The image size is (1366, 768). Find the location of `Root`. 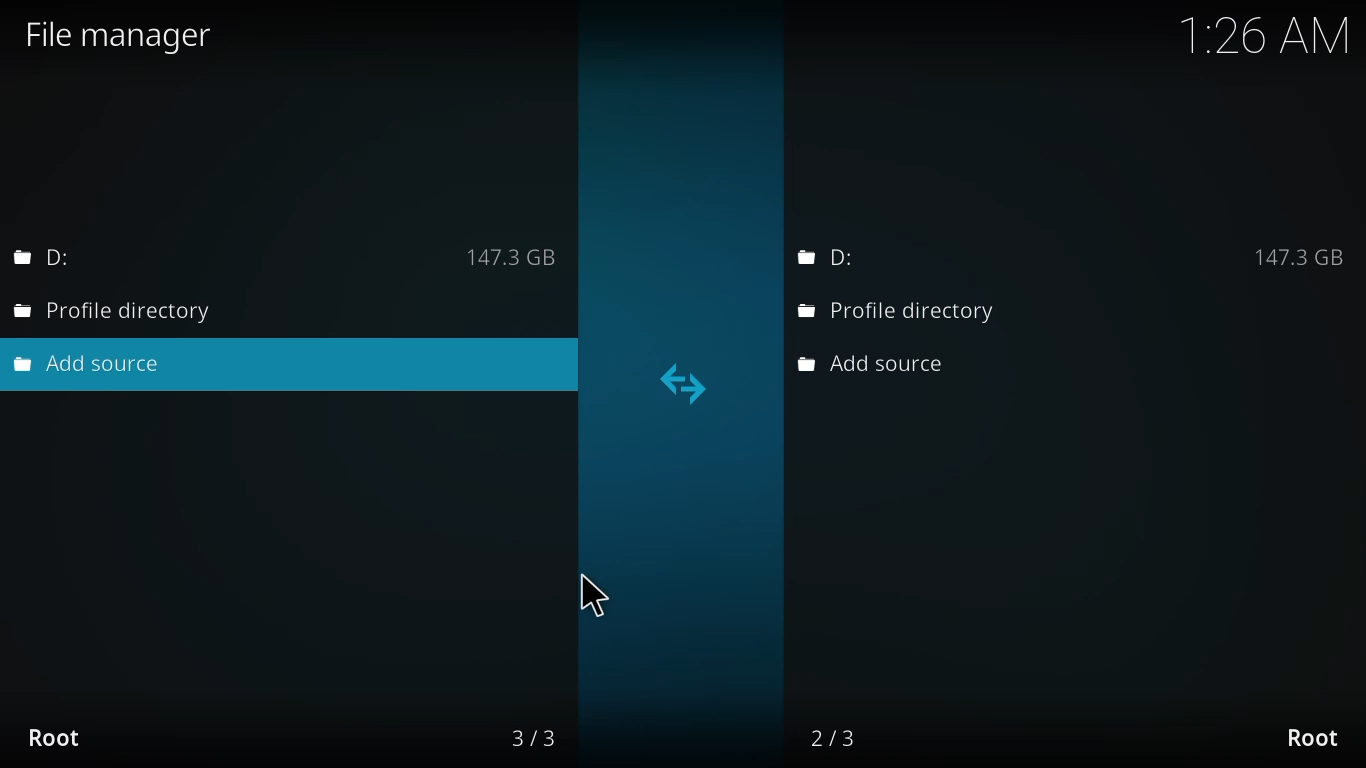

Root is located at coordinates (69, 741).